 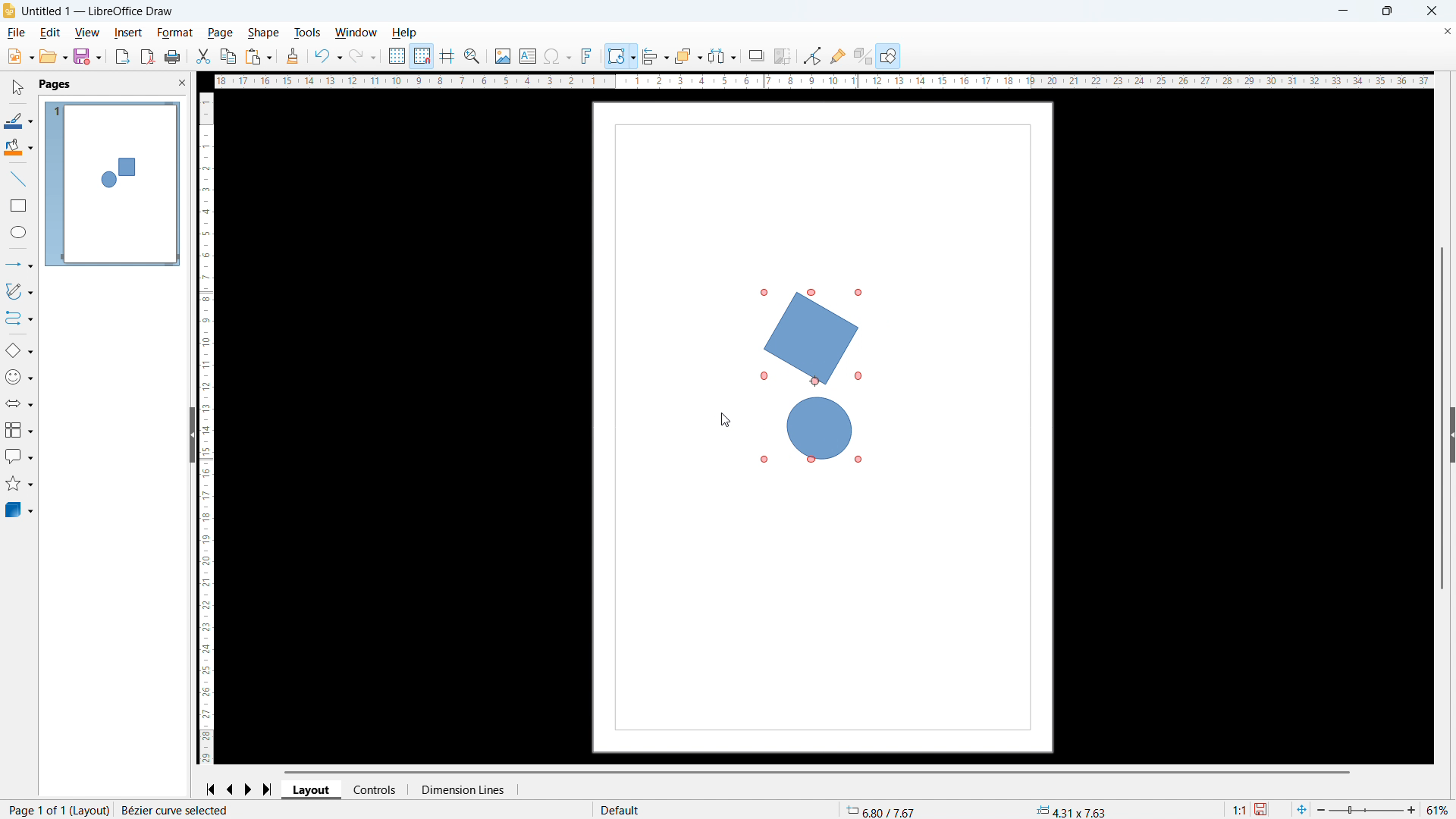 What do you see at coordinates (187, 434) in the screenshot?
I see `Sidebar` at bounding box center [187, 434].